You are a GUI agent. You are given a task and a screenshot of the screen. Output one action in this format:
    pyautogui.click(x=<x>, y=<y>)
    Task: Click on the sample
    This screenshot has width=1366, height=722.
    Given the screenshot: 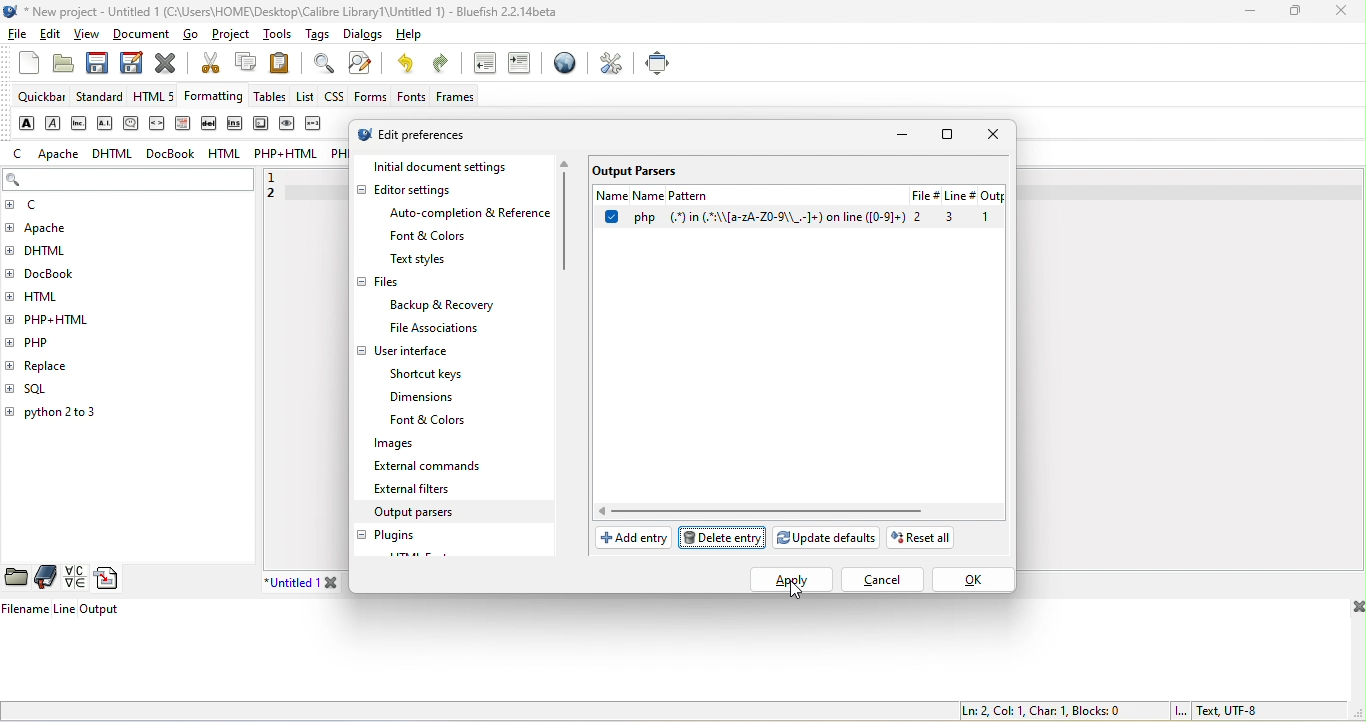 What is the action you would take?
    pyautogui.click(x=288, y=126)
    